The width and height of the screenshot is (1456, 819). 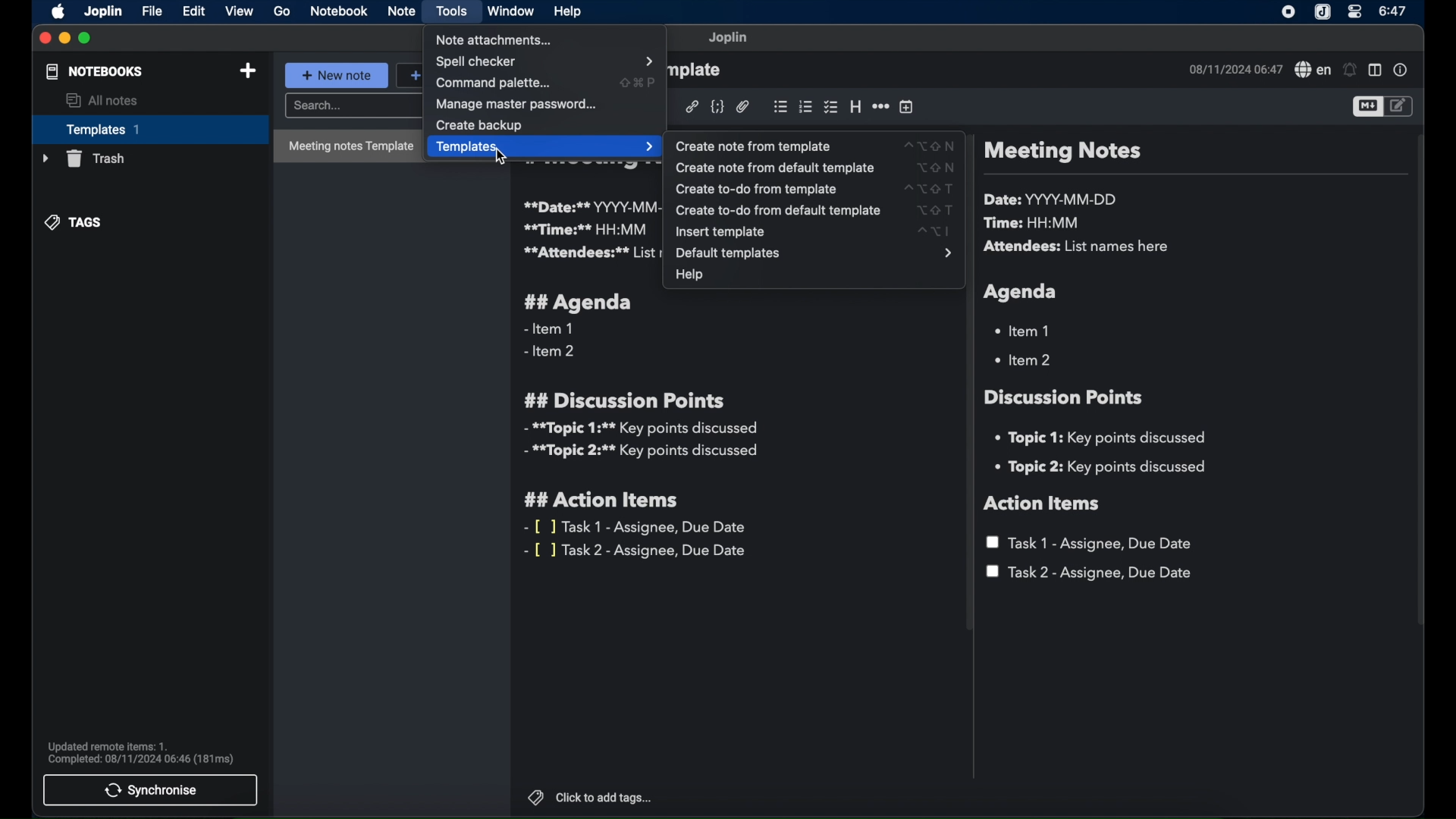 I want to click on create to-do from default template, so click(x=812, y=210).